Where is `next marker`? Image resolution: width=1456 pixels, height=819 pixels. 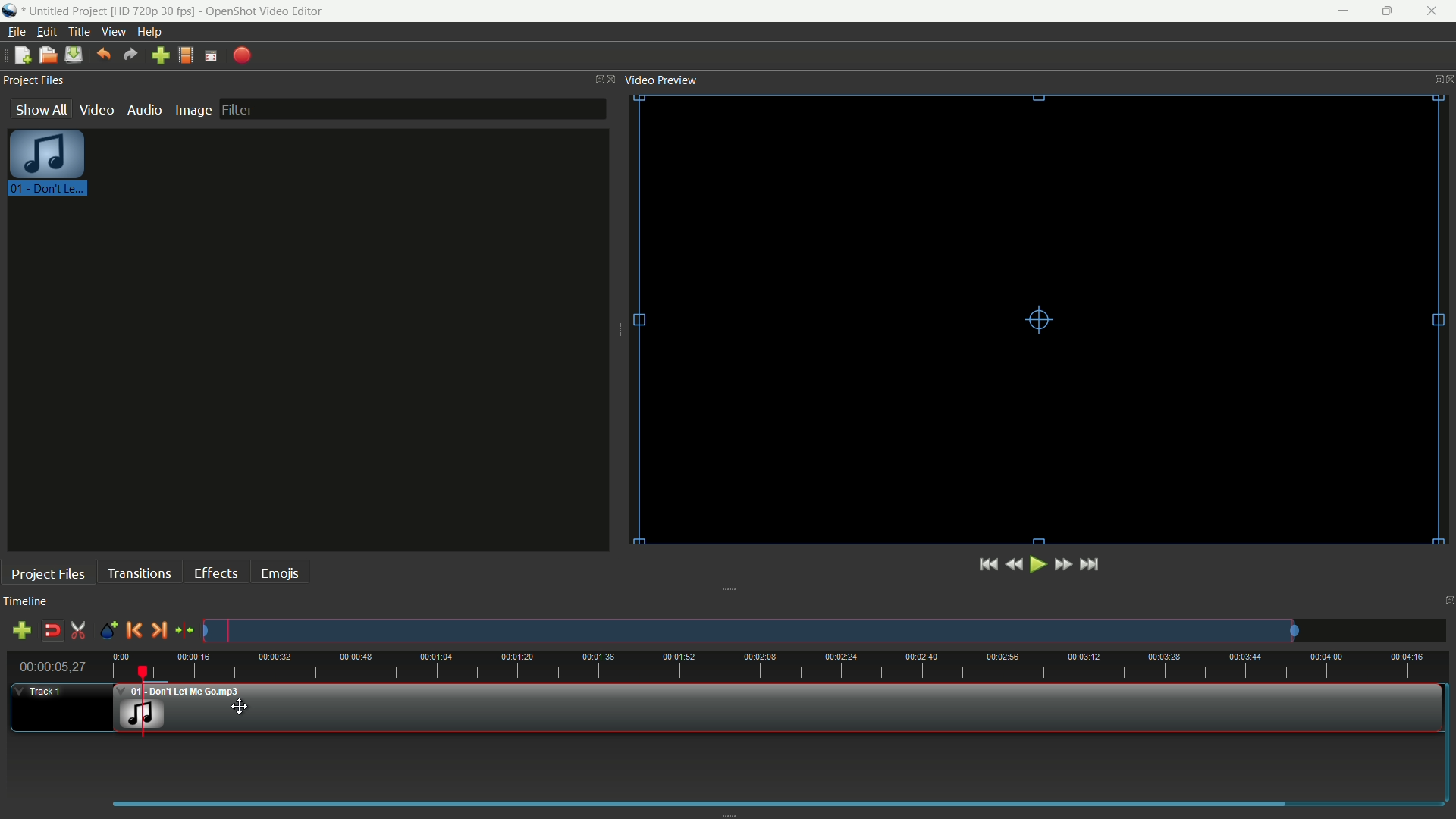
next marker is located at coordinates (158, 630).